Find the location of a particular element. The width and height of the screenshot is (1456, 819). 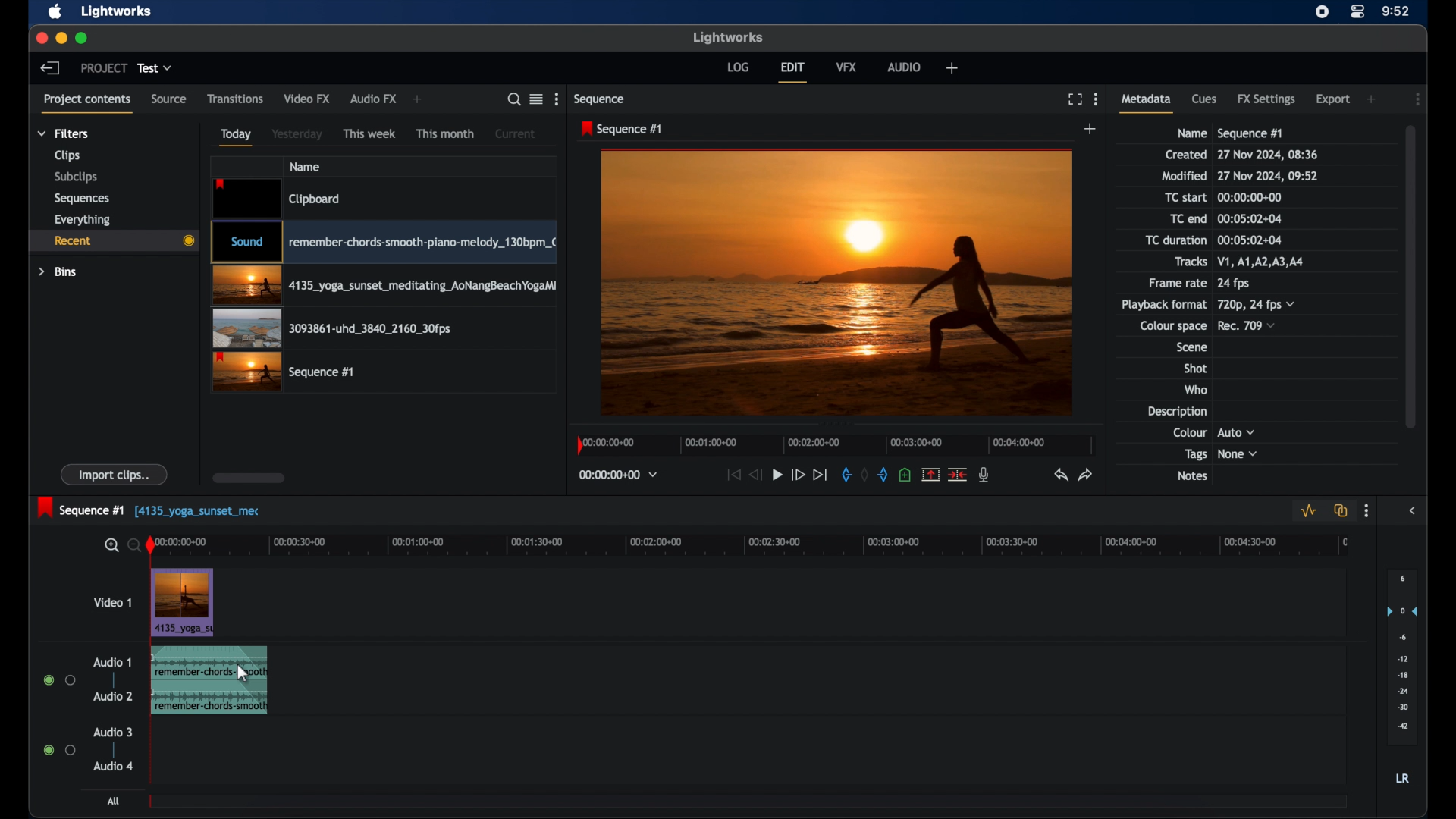

import clips is located at coordinates (115, 474).